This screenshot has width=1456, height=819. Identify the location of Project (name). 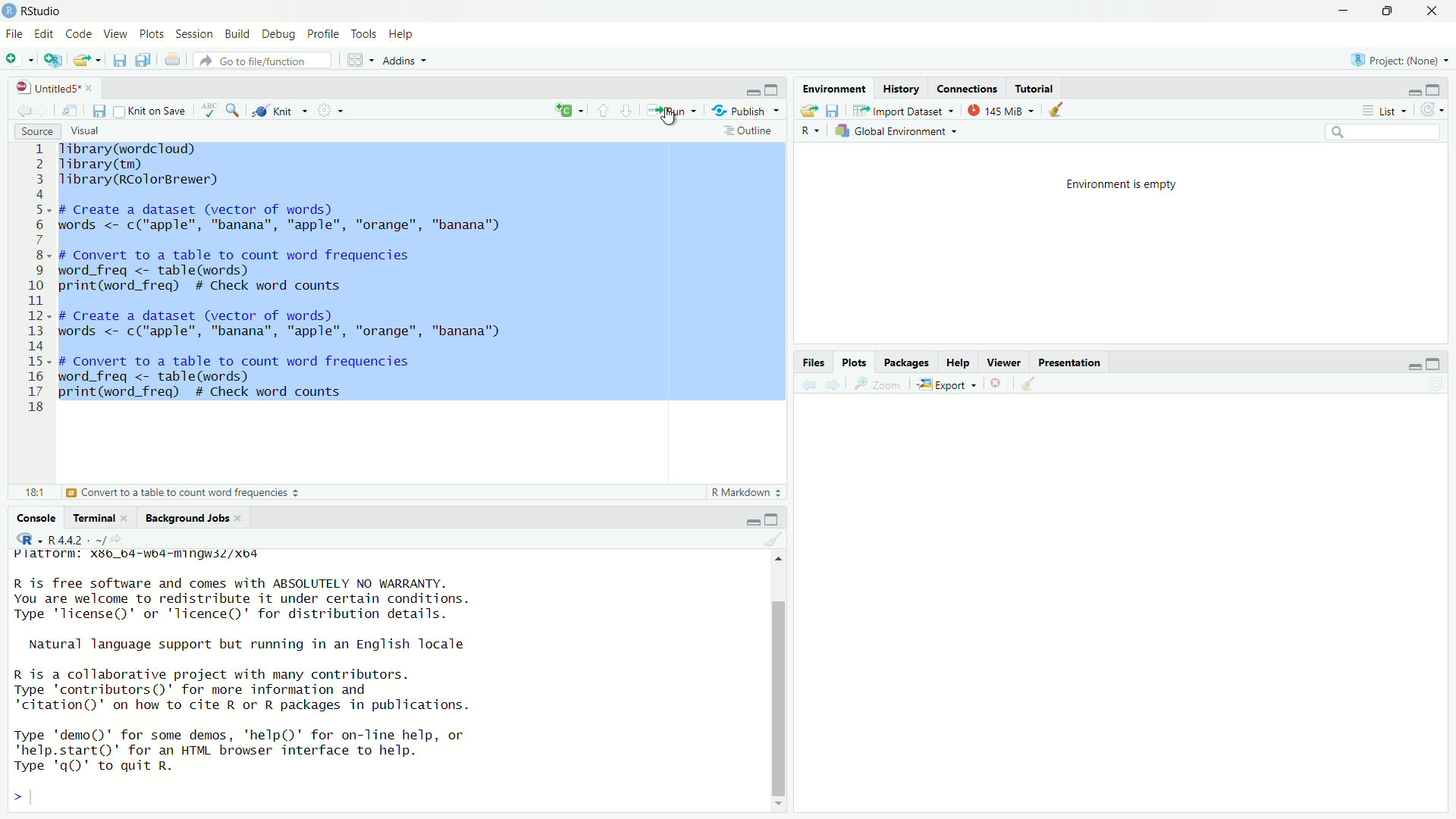
(1403, 61).